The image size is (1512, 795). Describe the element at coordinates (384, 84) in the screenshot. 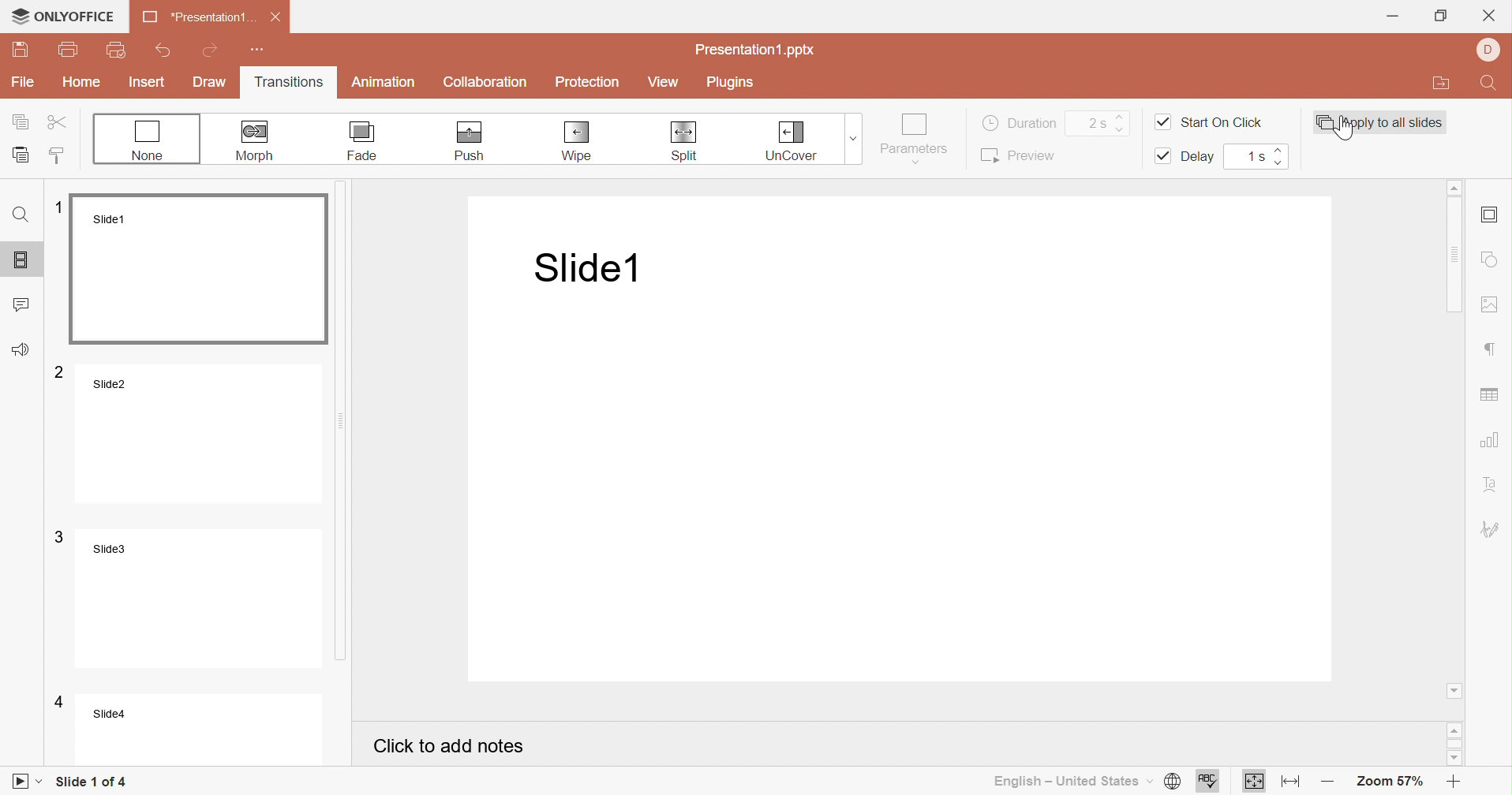

I see `Animation` at that location.